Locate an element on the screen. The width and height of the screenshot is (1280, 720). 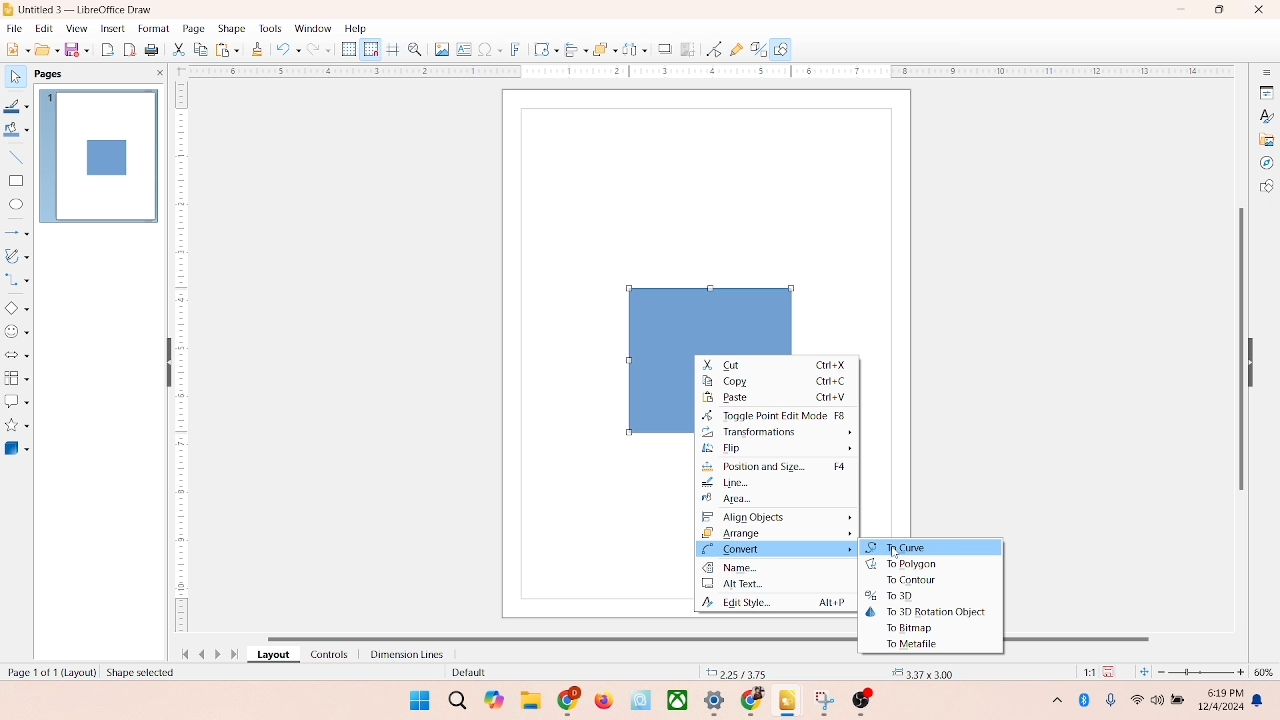
symbol shapes is located at coordinates (17, 332).